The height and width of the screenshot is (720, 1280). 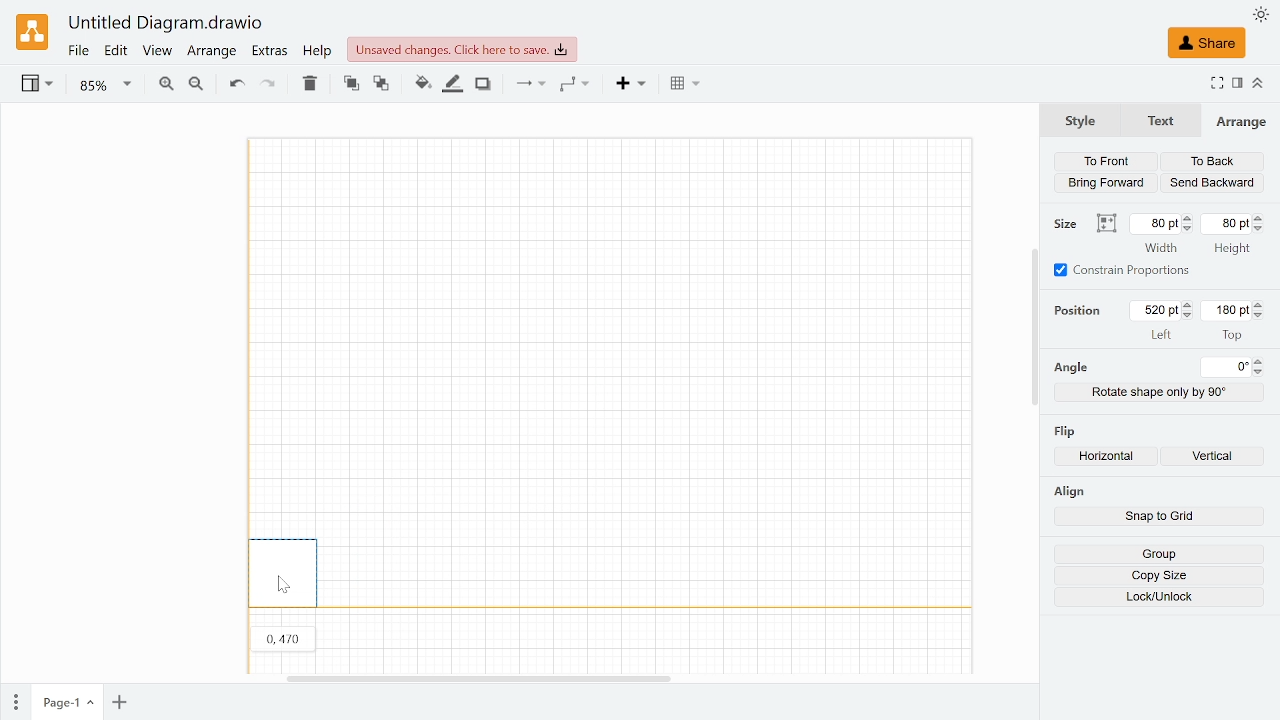 I want to click on 0470, so click(x=278, y=640).